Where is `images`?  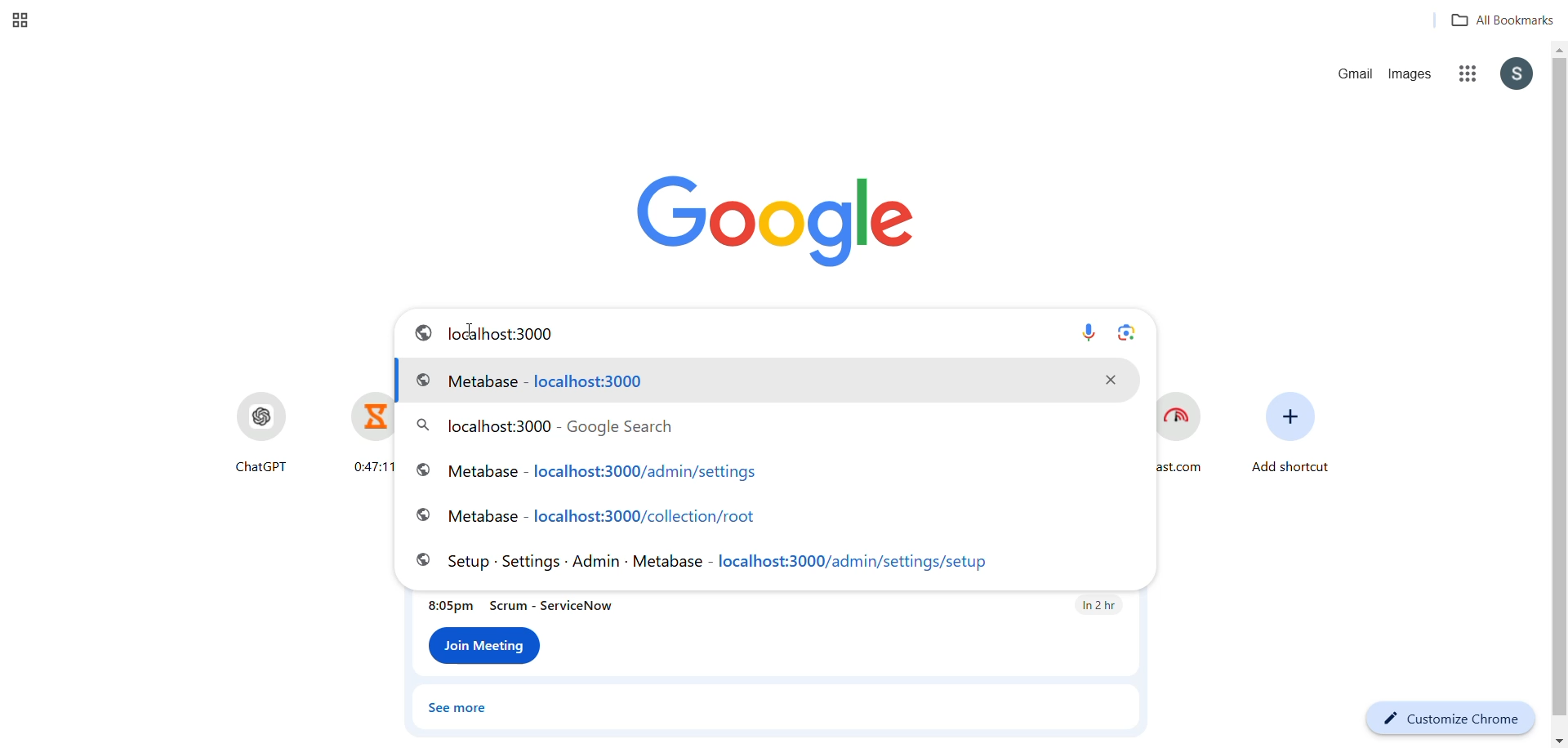
images is located at coordinates (1414, 75).